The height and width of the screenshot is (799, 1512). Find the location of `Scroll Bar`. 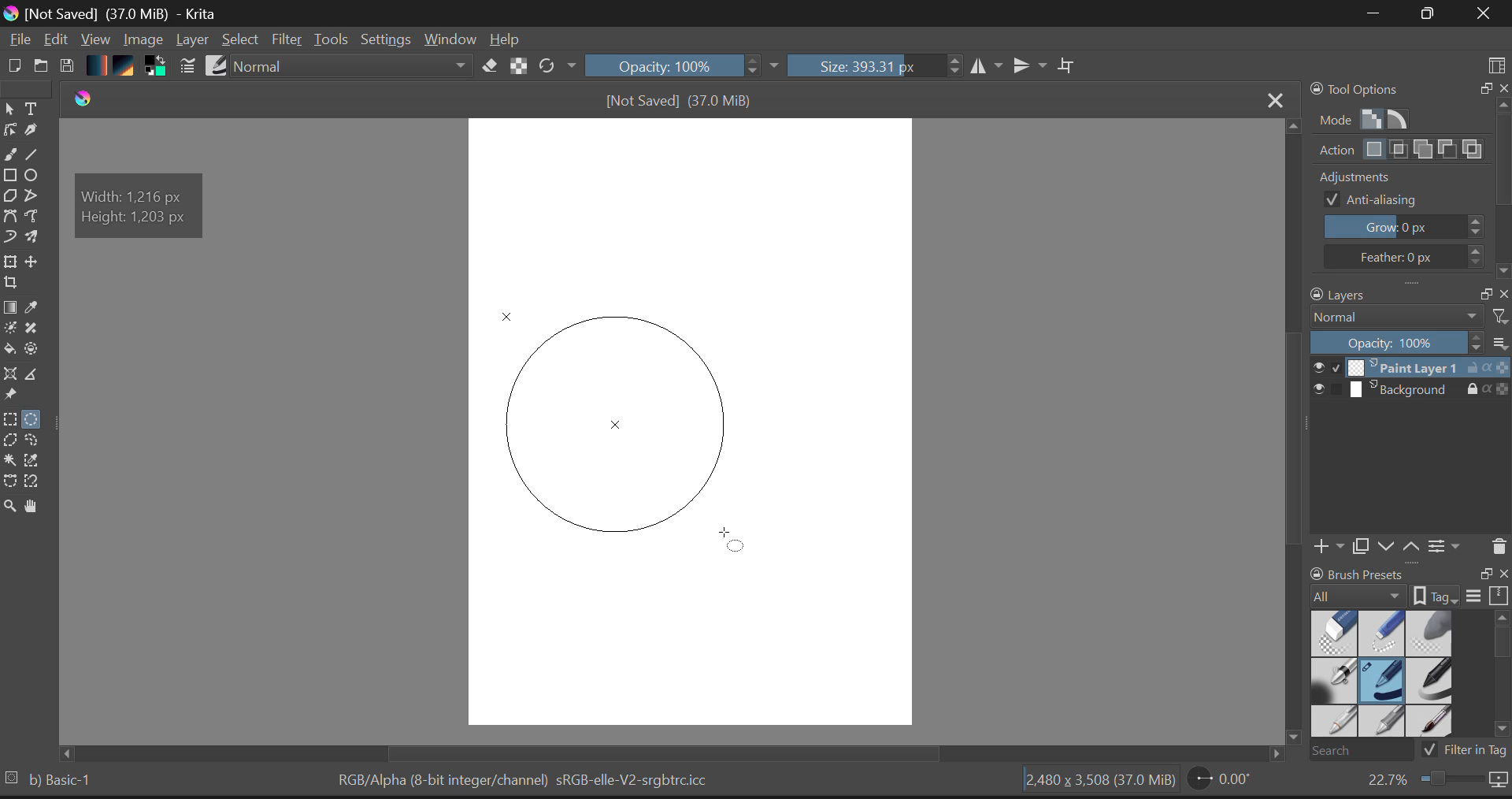

Scroll Bar is located at coordinates (1291, 440).